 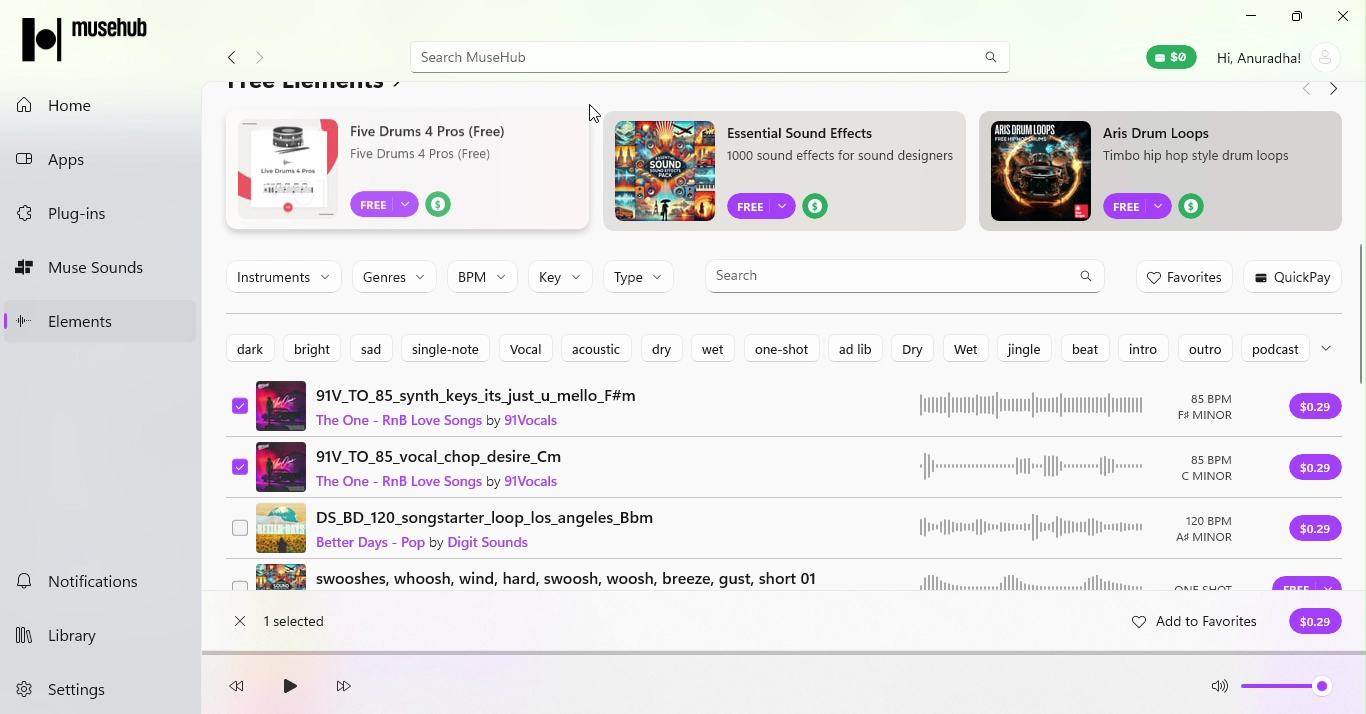 I want to click on 91V1_TO_85_vocal_Chop_desire_CM, so click(x=758, y=463).